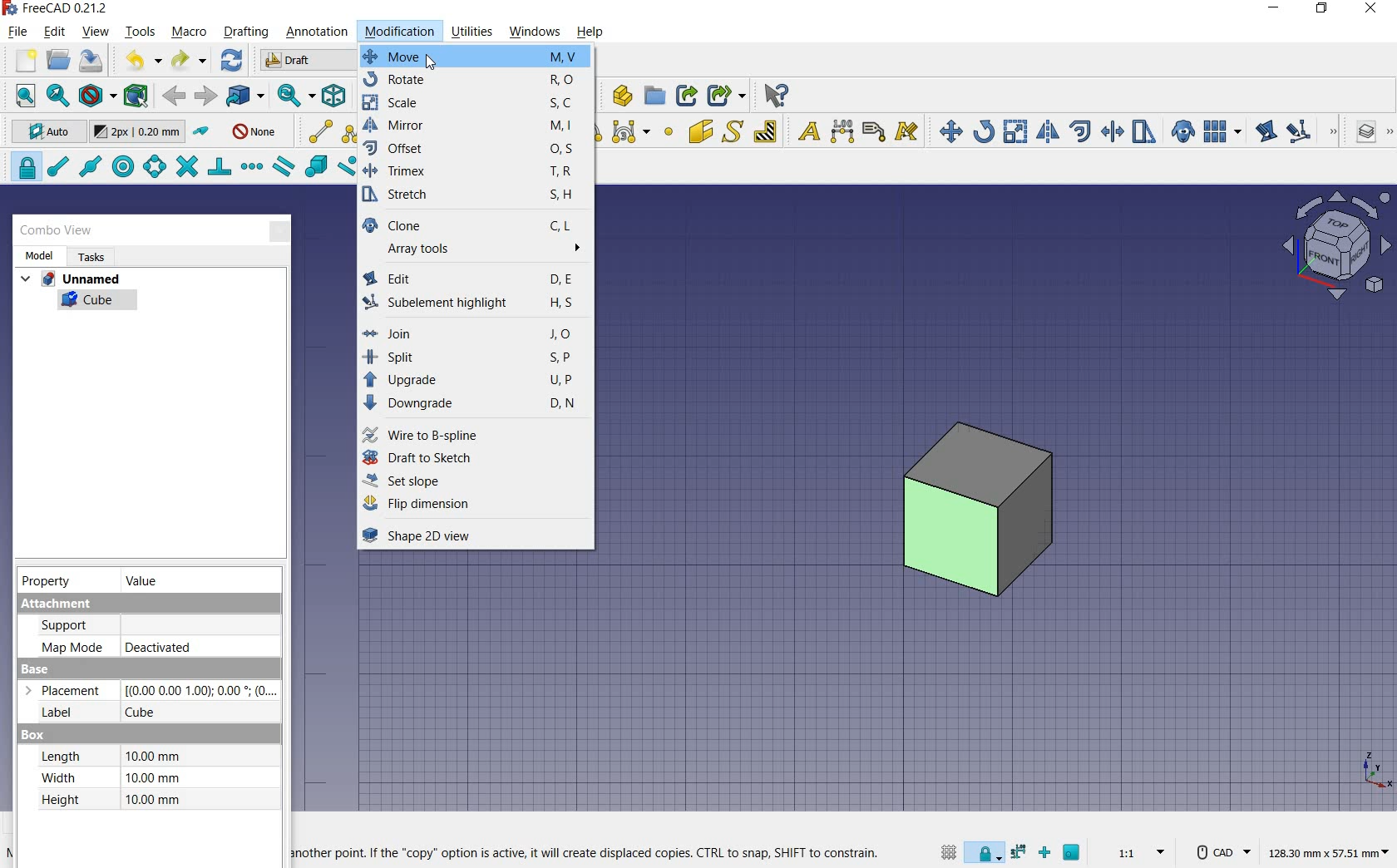 The image size is (1397, 868). Describe the element at coordinates (734, 131) in the screenshot. I see `shape from text` at that location.